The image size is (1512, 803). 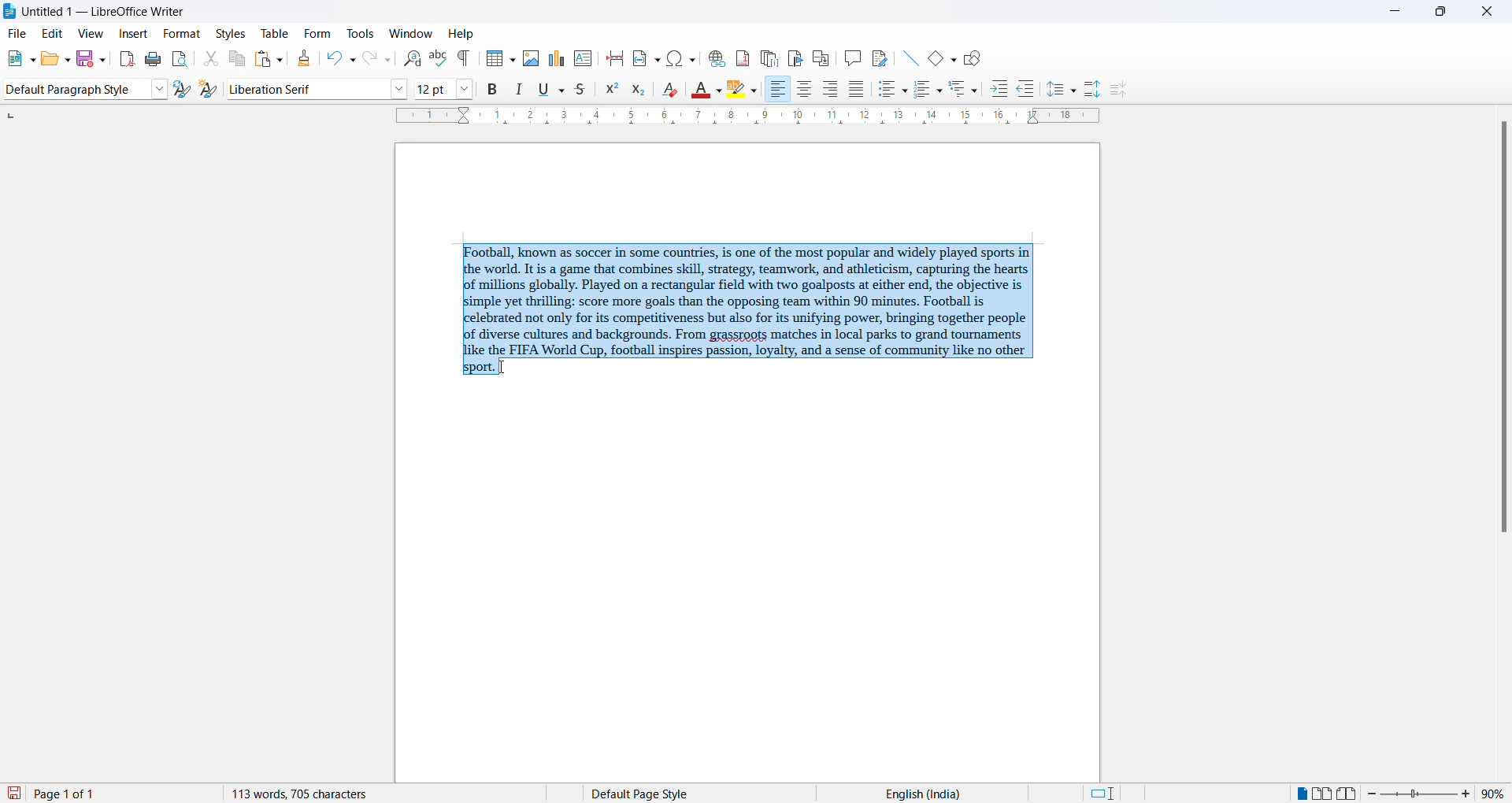 I want to click on insert table, so click(x=492, y=58).